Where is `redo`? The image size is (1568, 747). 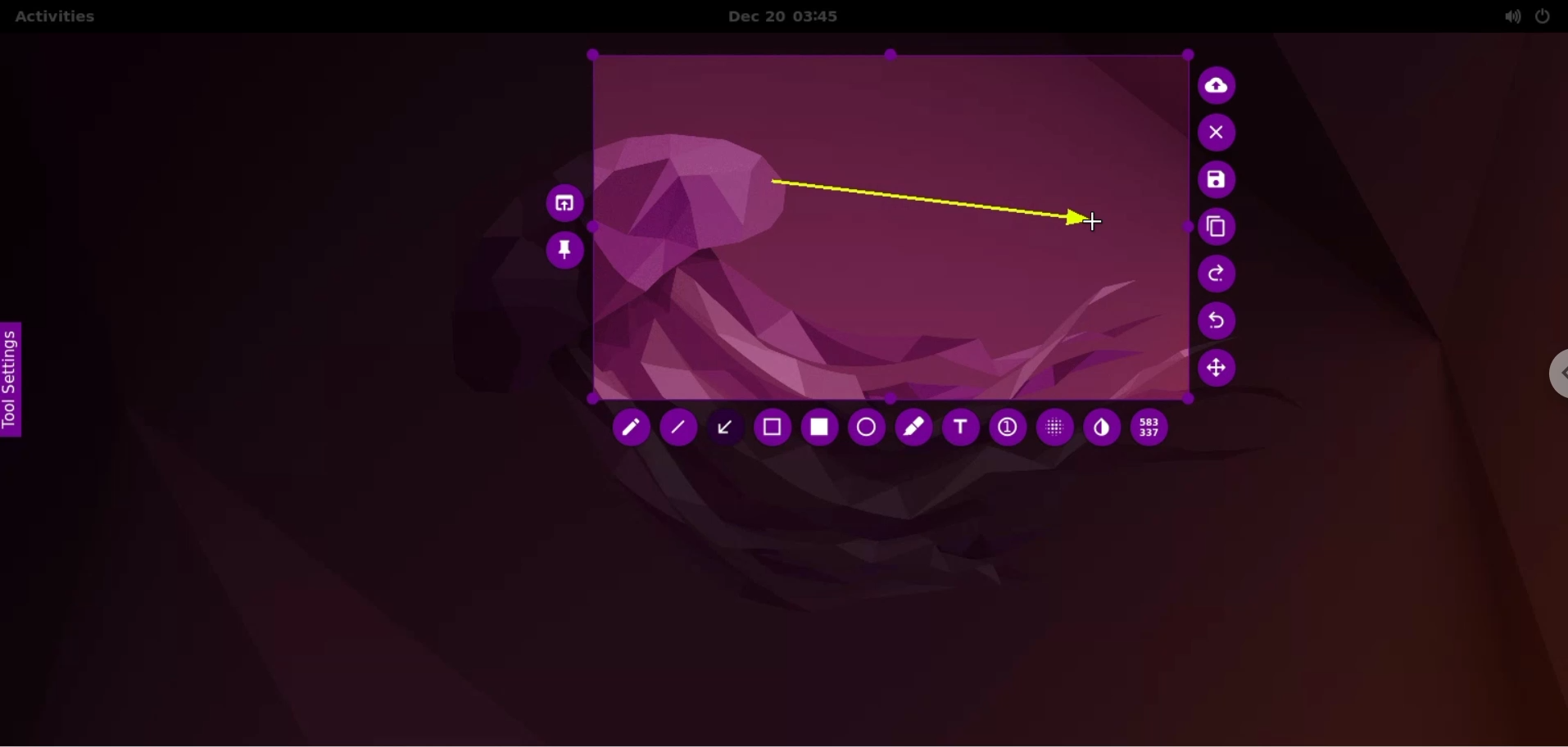 redo is located at coordinates (1220, 274).